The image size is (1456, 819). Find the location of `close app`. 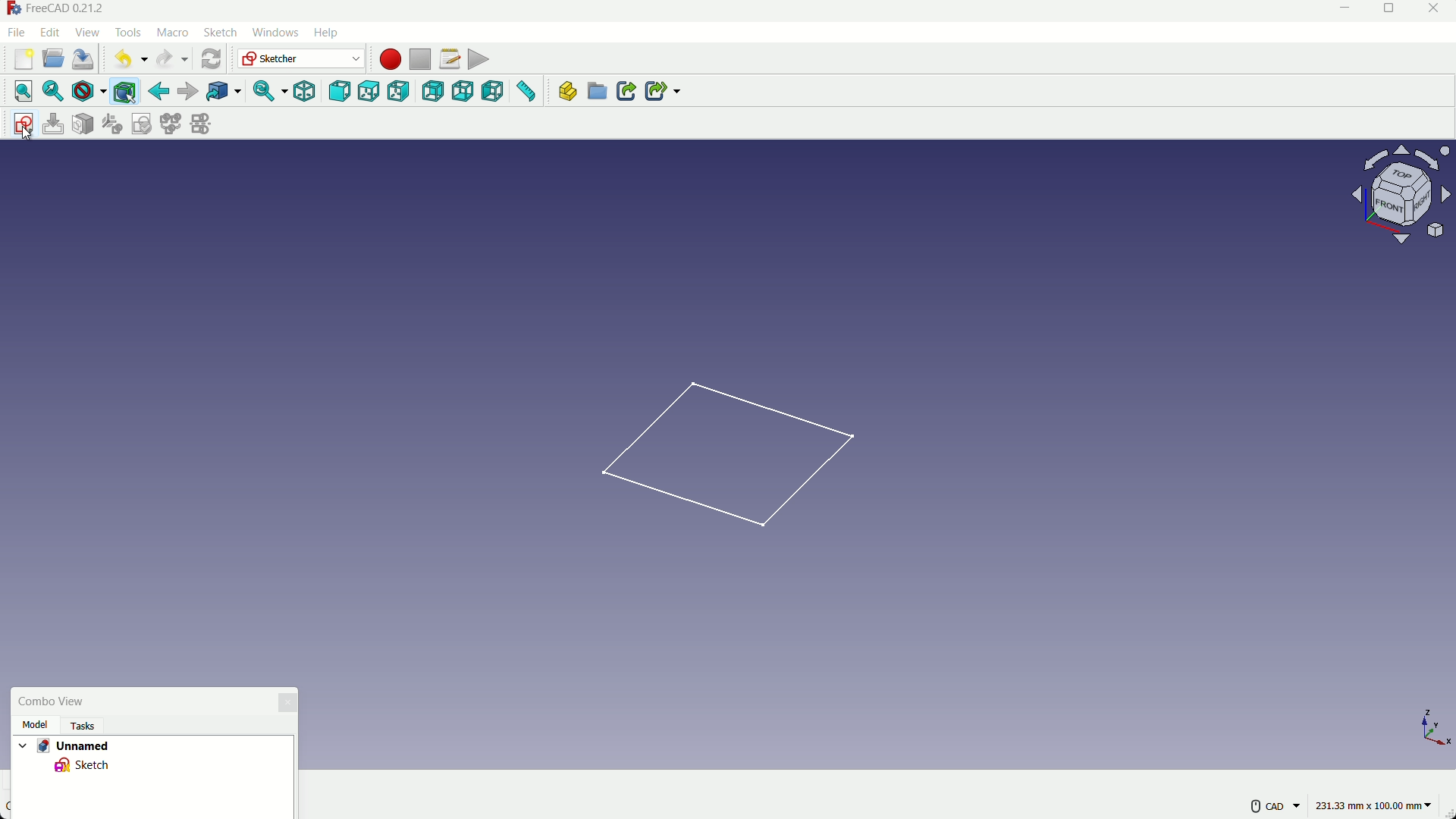

close app is located at coordinates (1439, 11).